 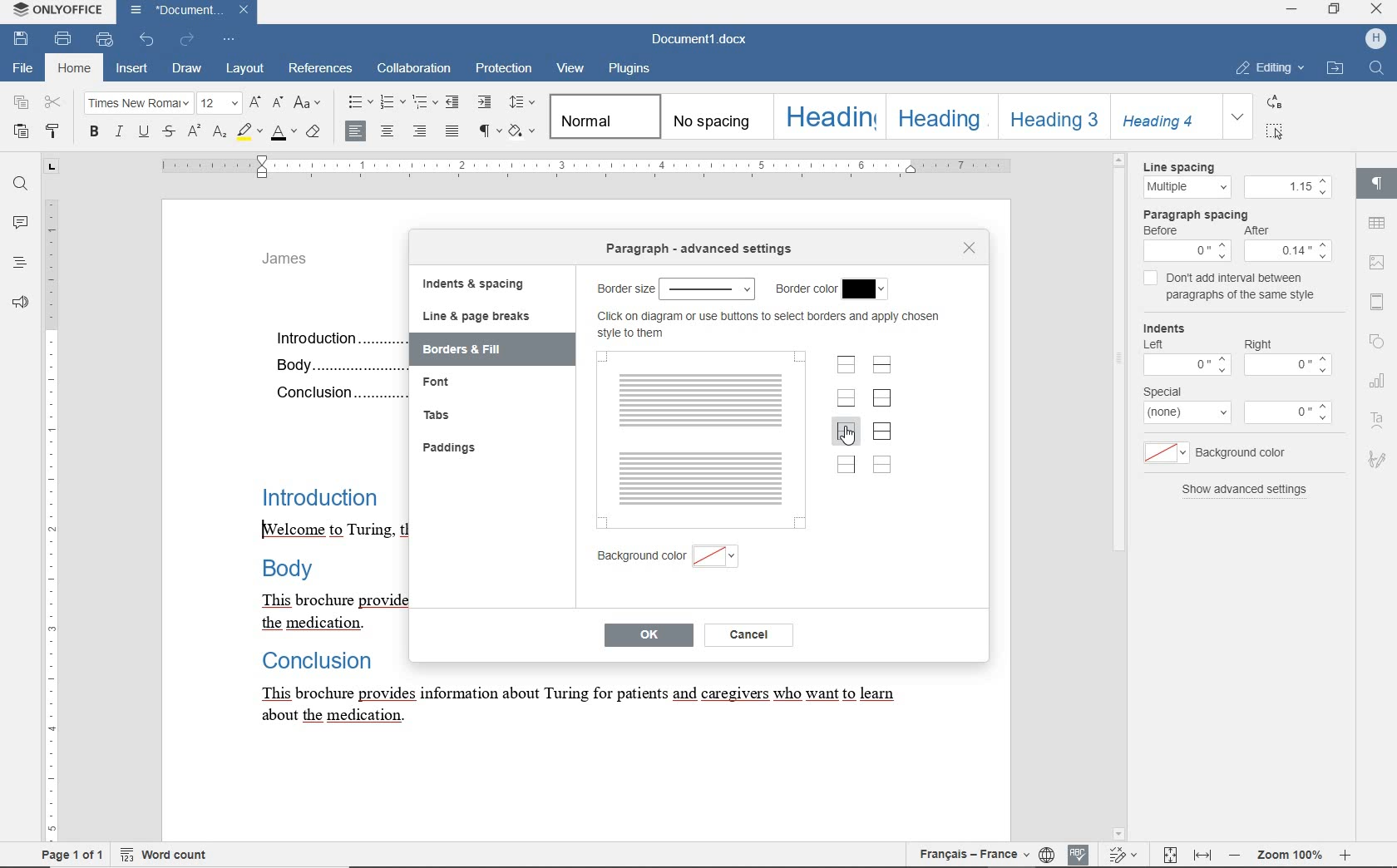 What do you see at coordinates (243, 70) in the screenshot?
I see `layout` at bounding box center [243, 70].